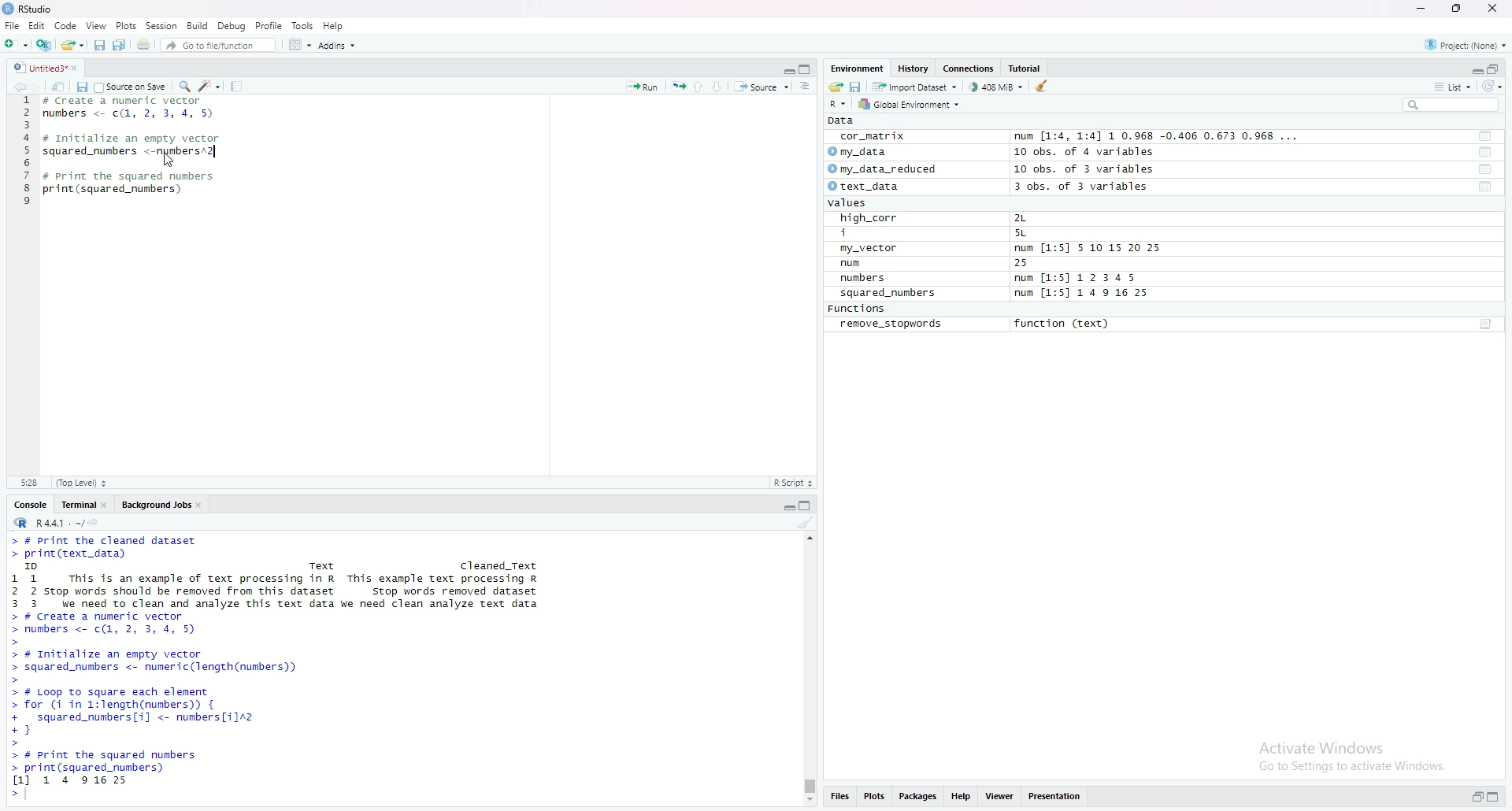 The image size is (1512, 811). What do you see at coordinates (161, 25) in the screenshot?
I see `Session` at bounding box center [161, 25].